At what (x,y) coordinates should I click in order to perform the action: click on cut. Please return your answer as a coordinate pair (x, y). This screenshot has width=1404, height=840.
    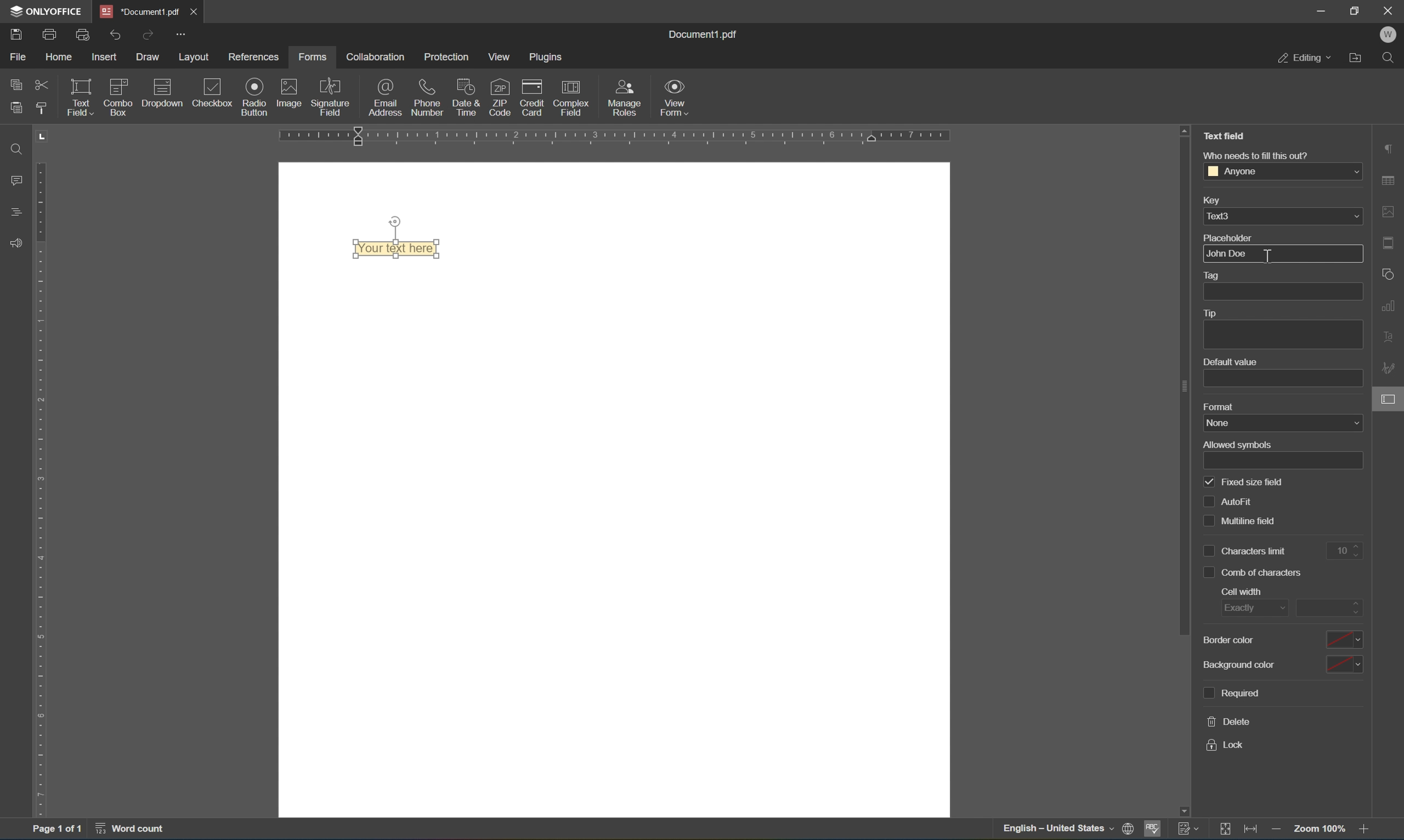
    Looking at the image, I should click on (43, 84).